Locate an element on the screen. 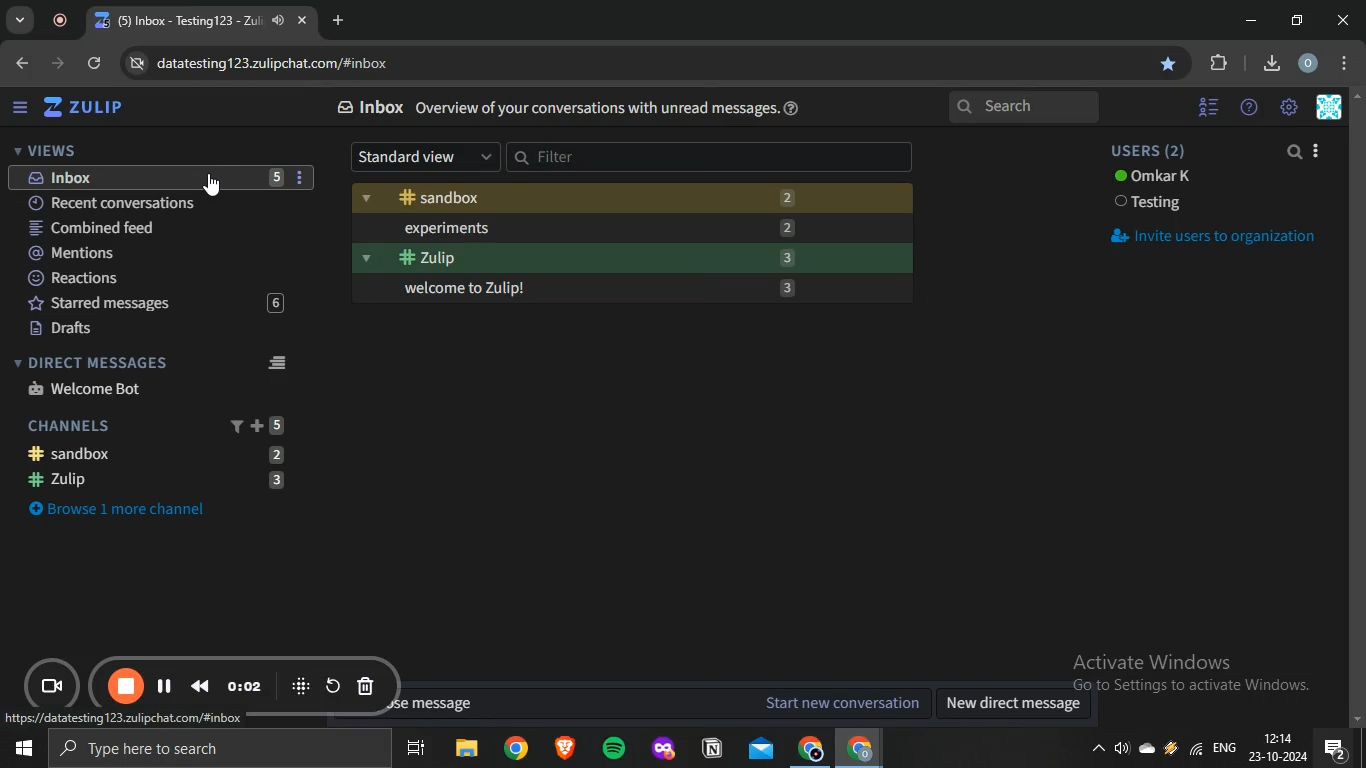 Image resolution: width=1366 pixels, height=768 pixels. type here to search is located at coordinates (215, 750).